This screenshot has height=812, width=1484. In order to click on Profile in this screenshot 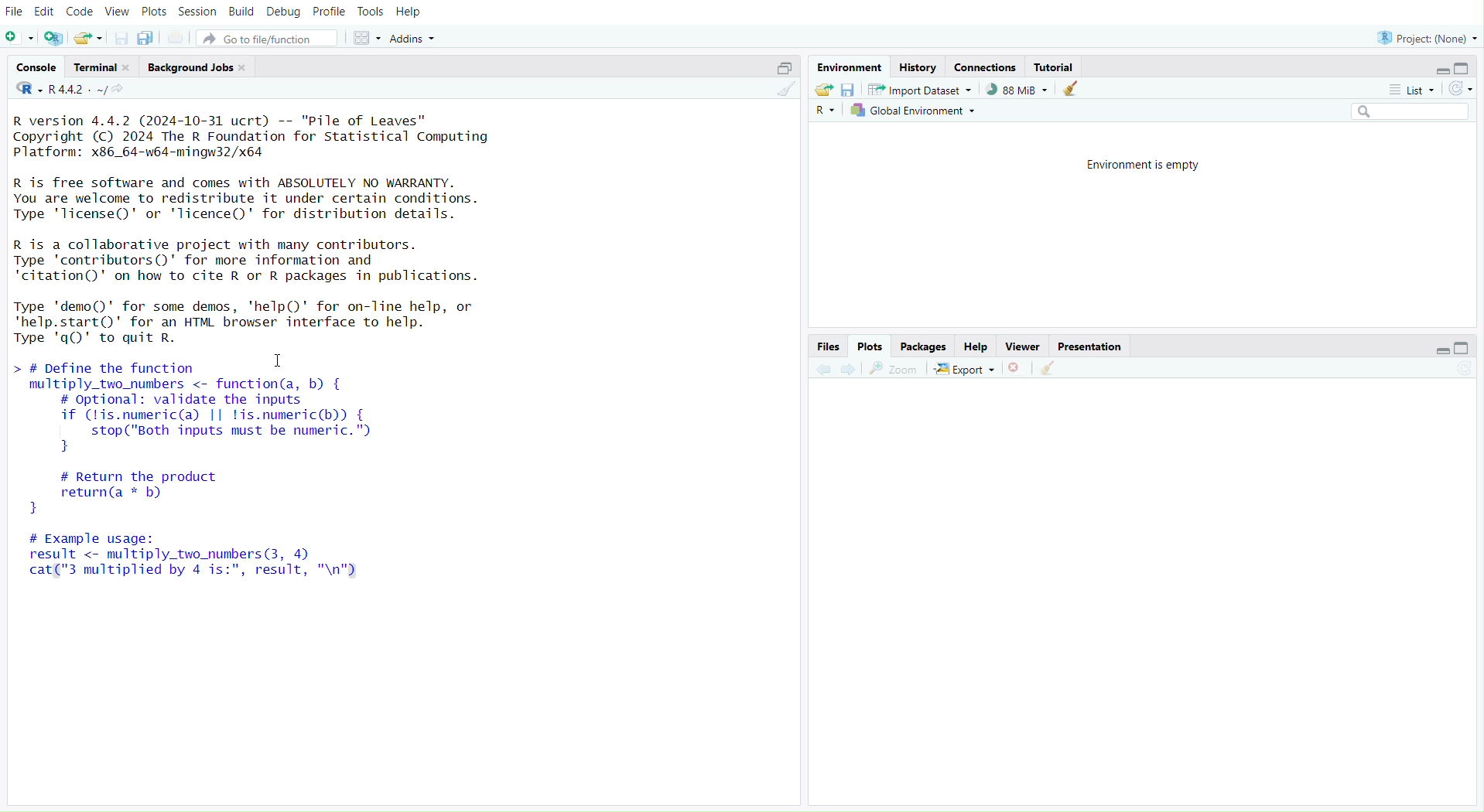, I will do `click(327, 14)`.